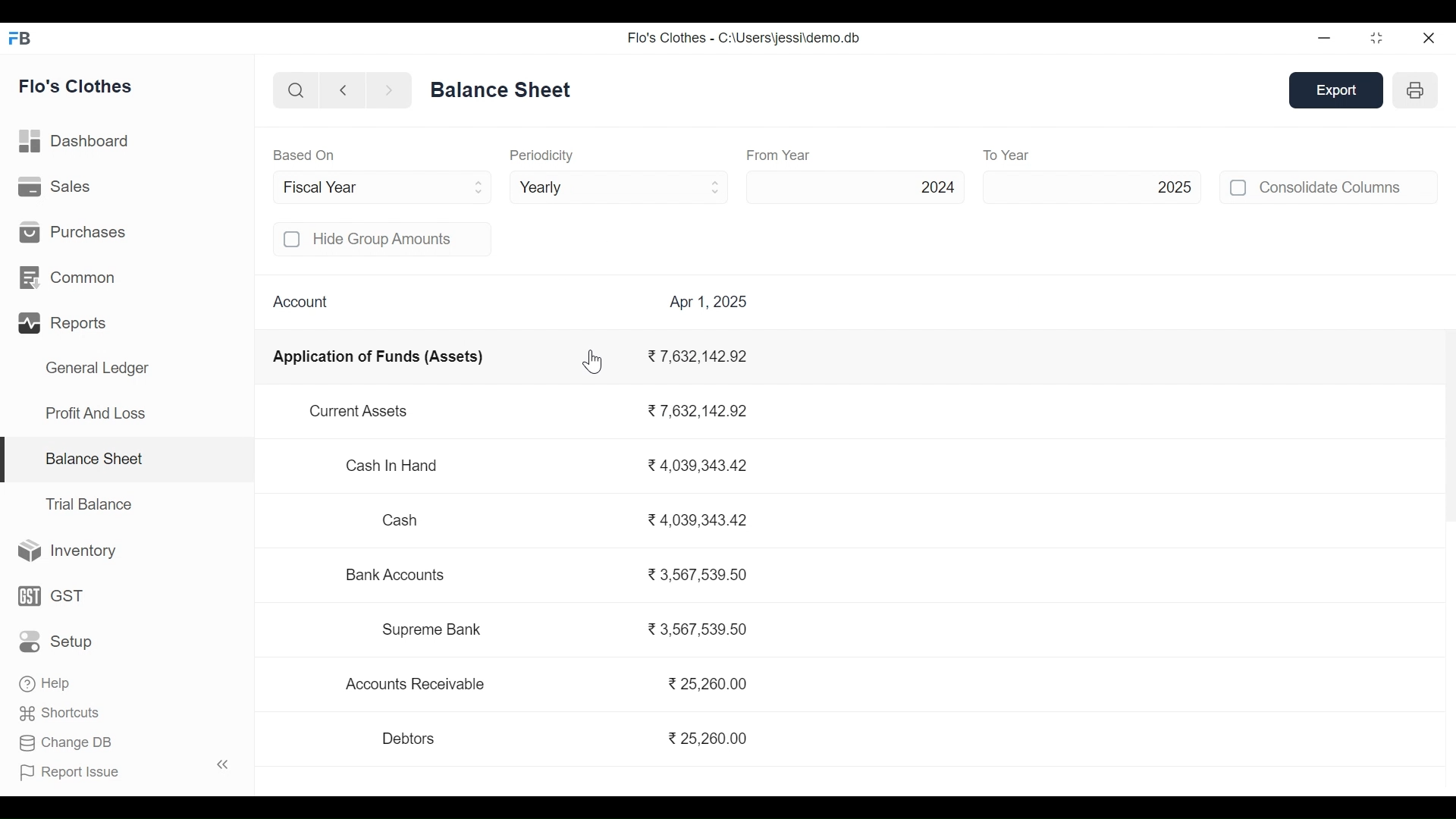  Describe the element at coordinates (548, 467) in the screenshot. I see `Cash In Hand %4,039,343.42` at that location.